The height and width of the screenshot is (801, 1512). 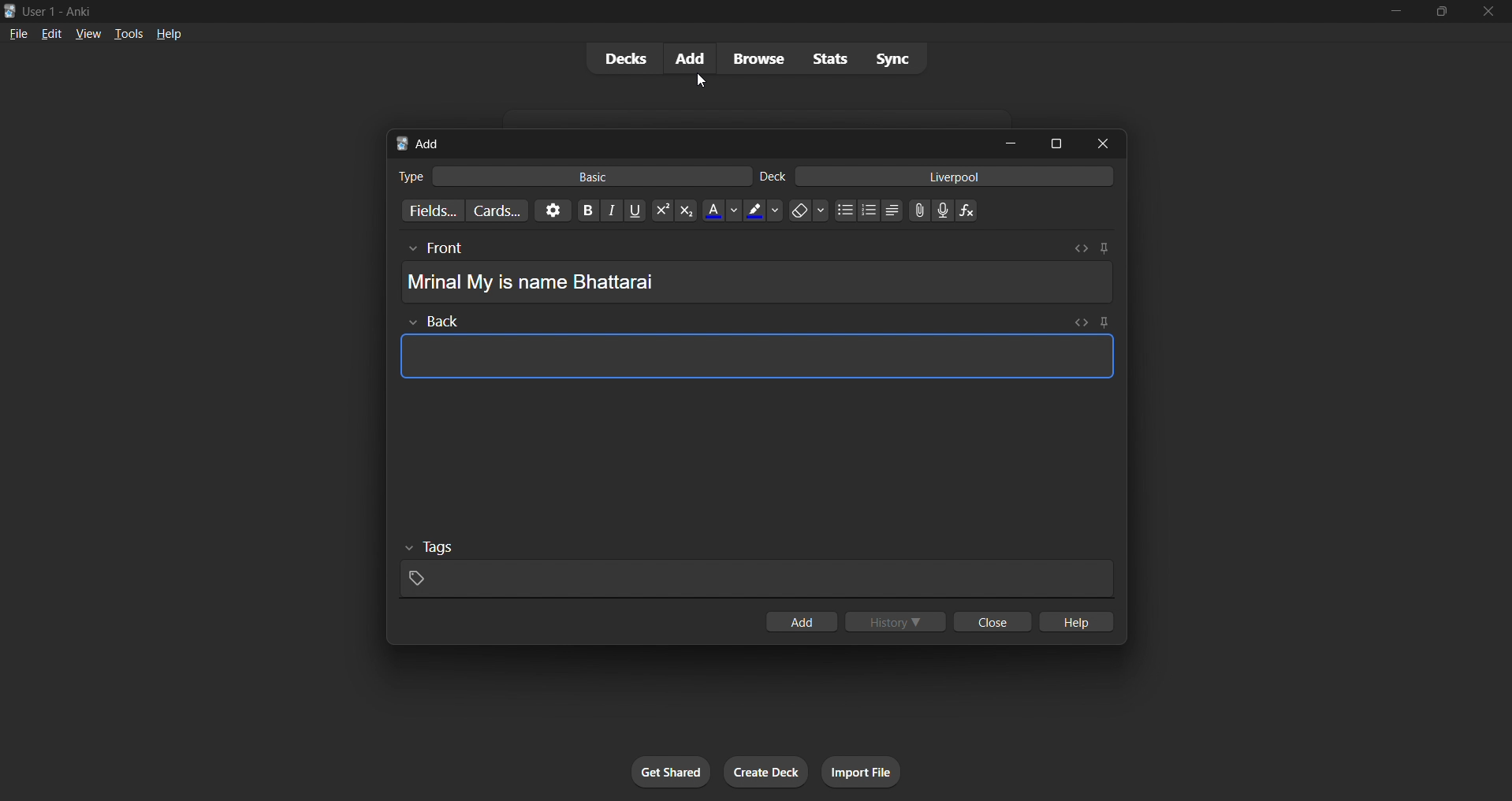 I want to click on tools, so click(x=128, y=32).